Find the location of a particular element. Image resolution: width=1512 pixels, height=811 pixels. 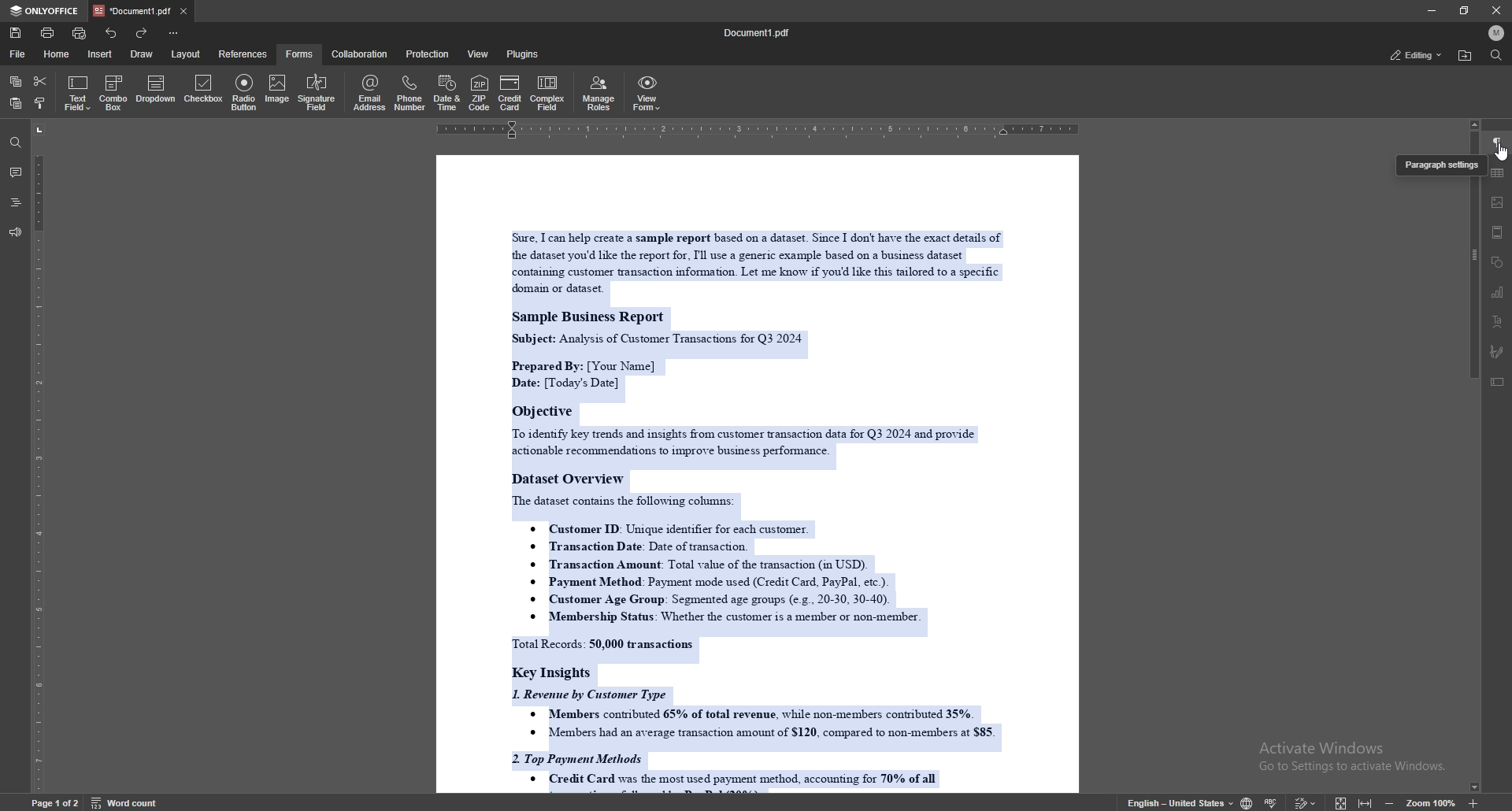

paragraph is located at coordinates (1497, 143).